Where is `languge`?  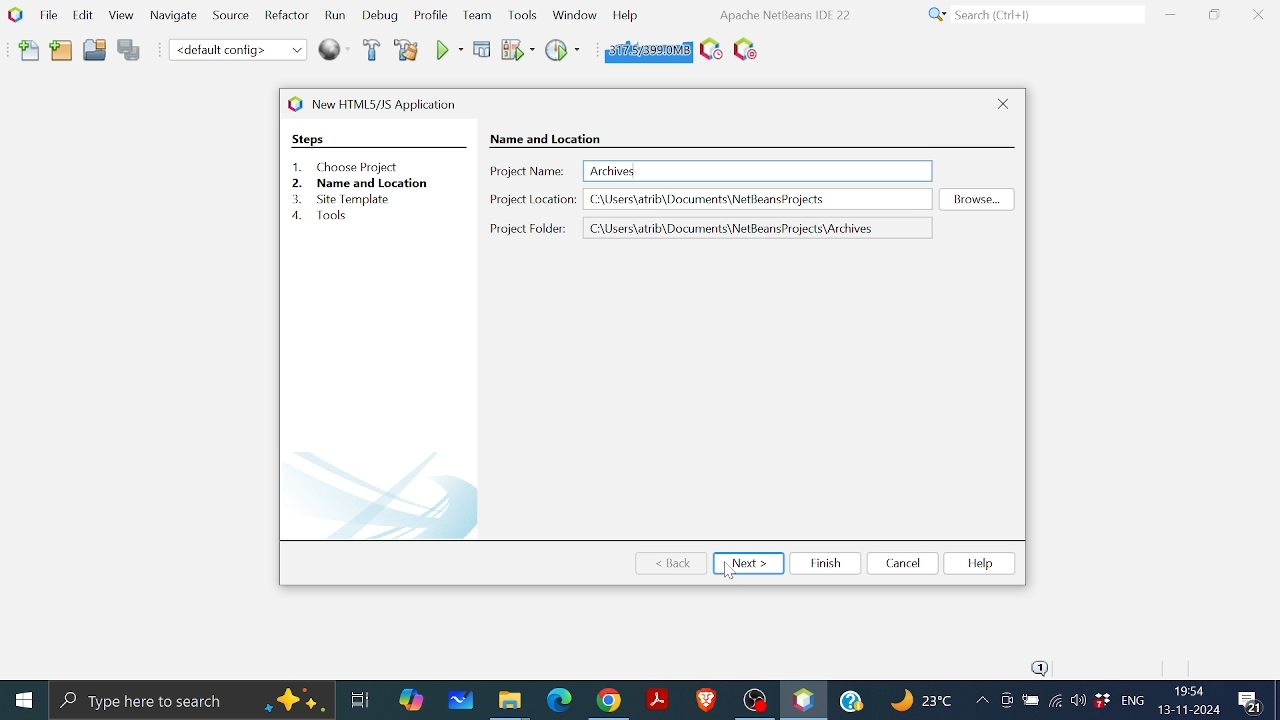 languge is located at coordinates (1133, 702).